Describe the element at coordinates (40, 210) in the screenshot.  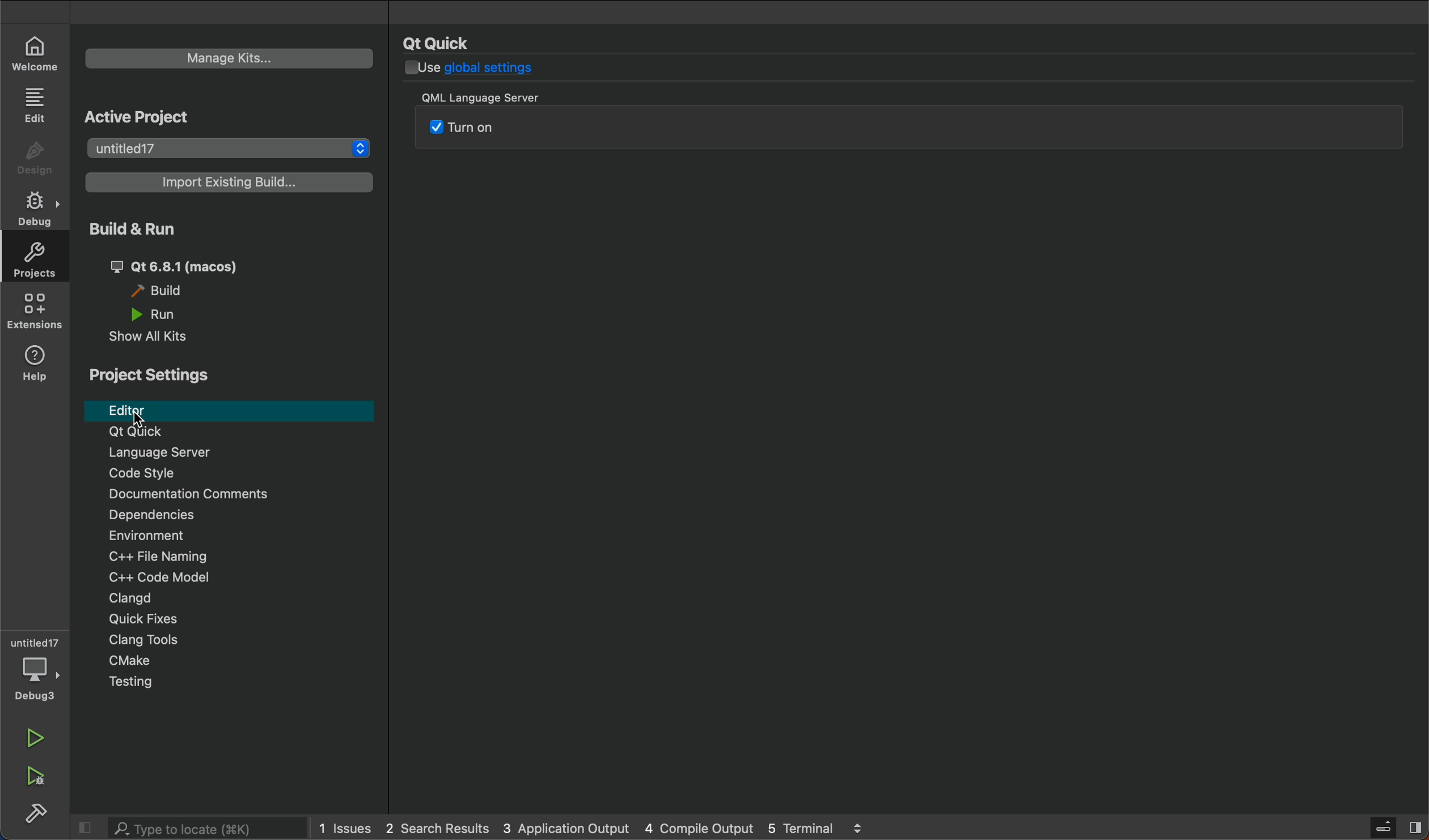
I see `debug` at that location.